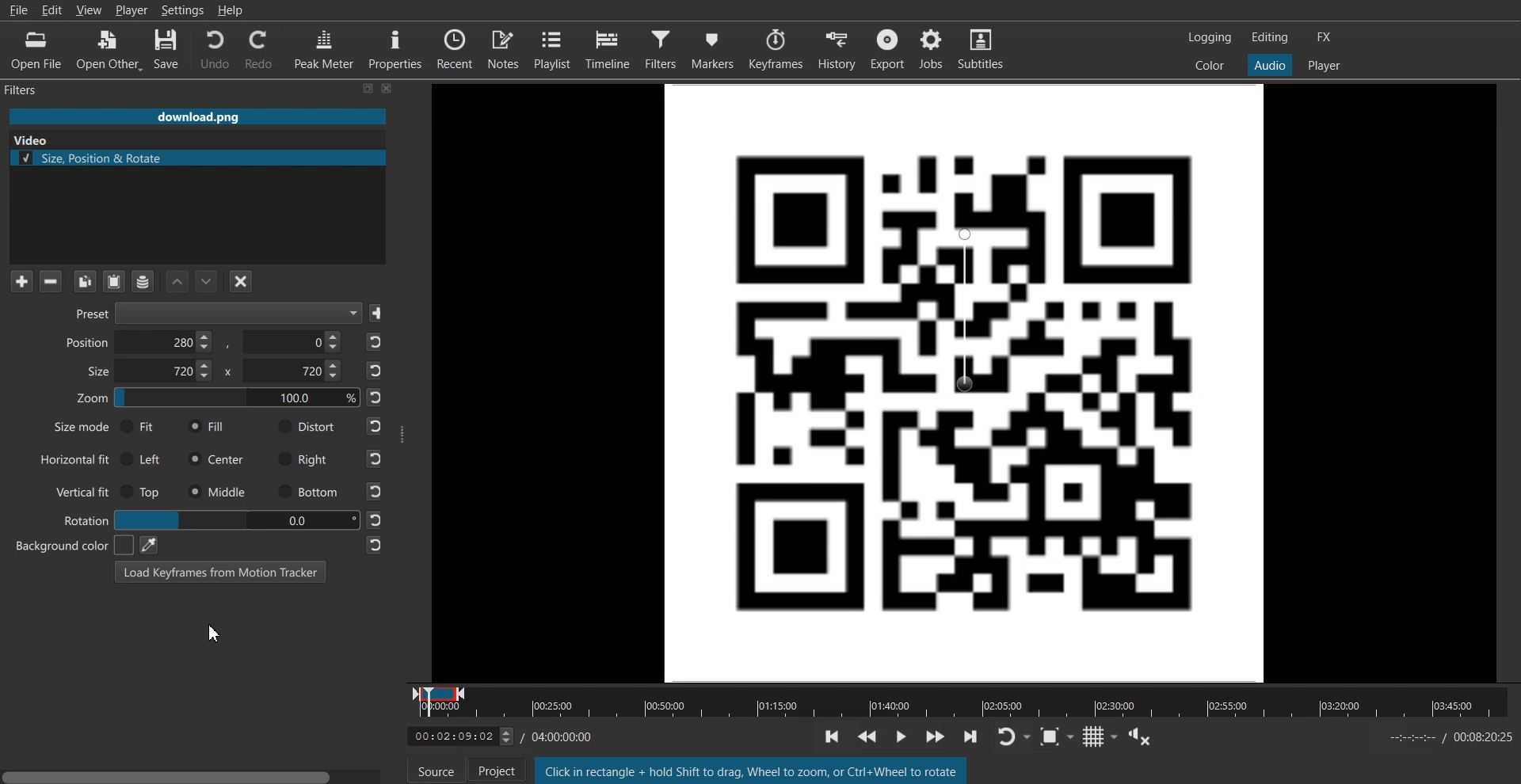 This screenshot has height=784, width=1521. Describe the element at coordinates (210, 373) in the screenshot. I see `Size X & Y Co-ordinate` at that location.